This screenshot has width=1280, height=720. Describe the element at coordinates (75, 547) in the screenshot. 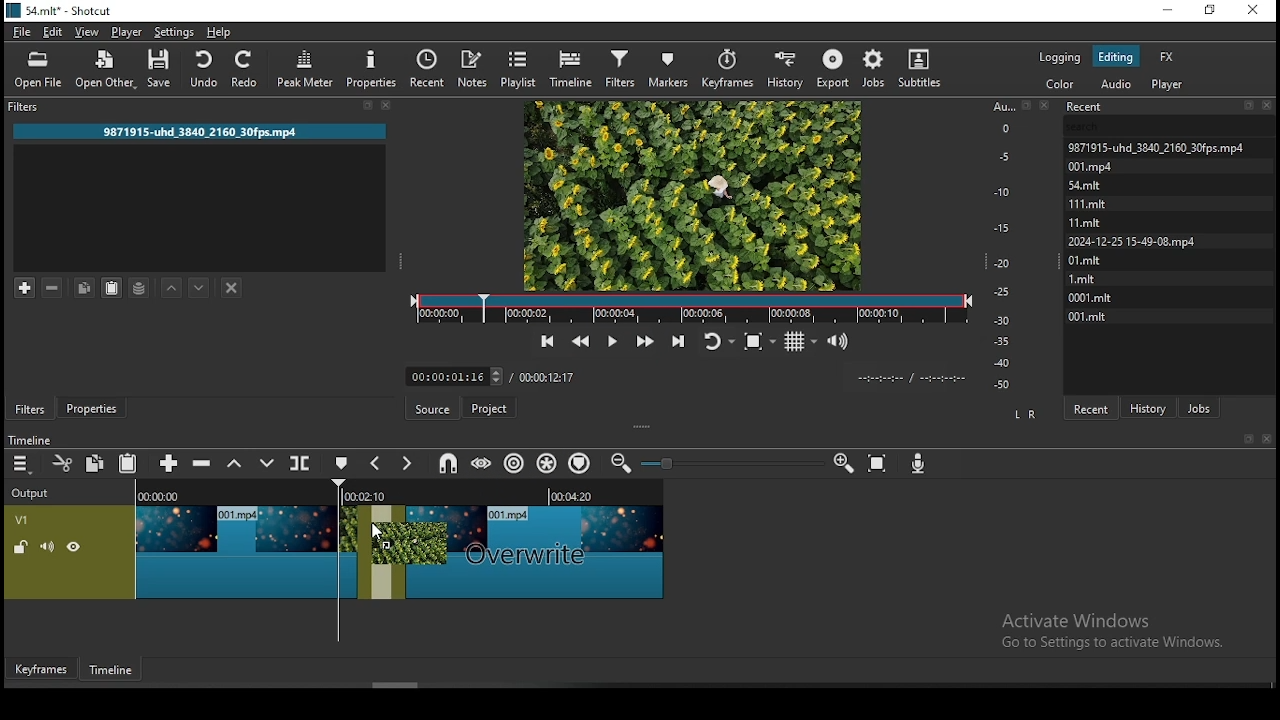

I see `(un)hide` at that location.